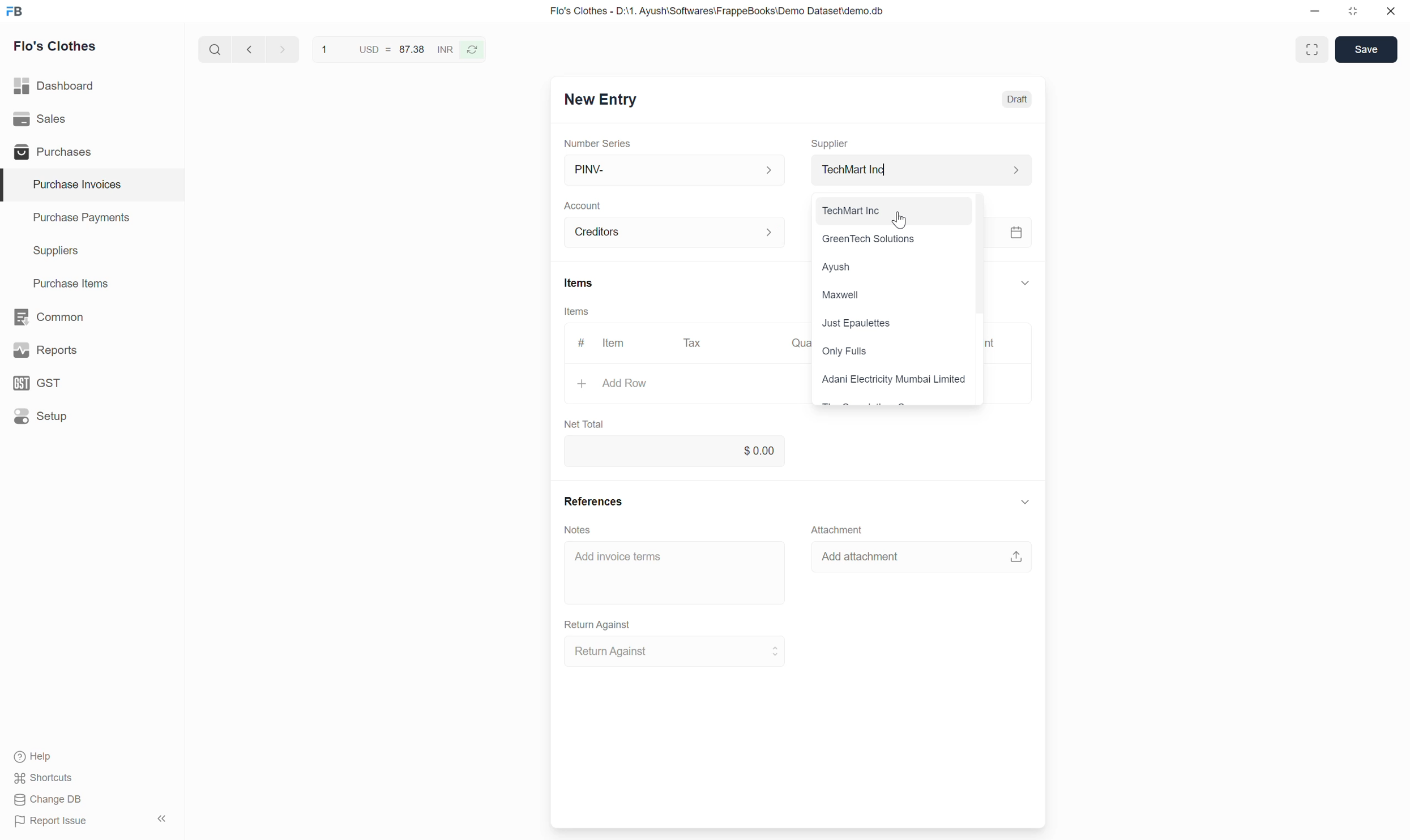 Image resolution: width=1410 pixels, height=840 pixels. What do you see at coordinates (580, 530) in the screenshot?
I see `Notes` at bounding box center [580, 530].